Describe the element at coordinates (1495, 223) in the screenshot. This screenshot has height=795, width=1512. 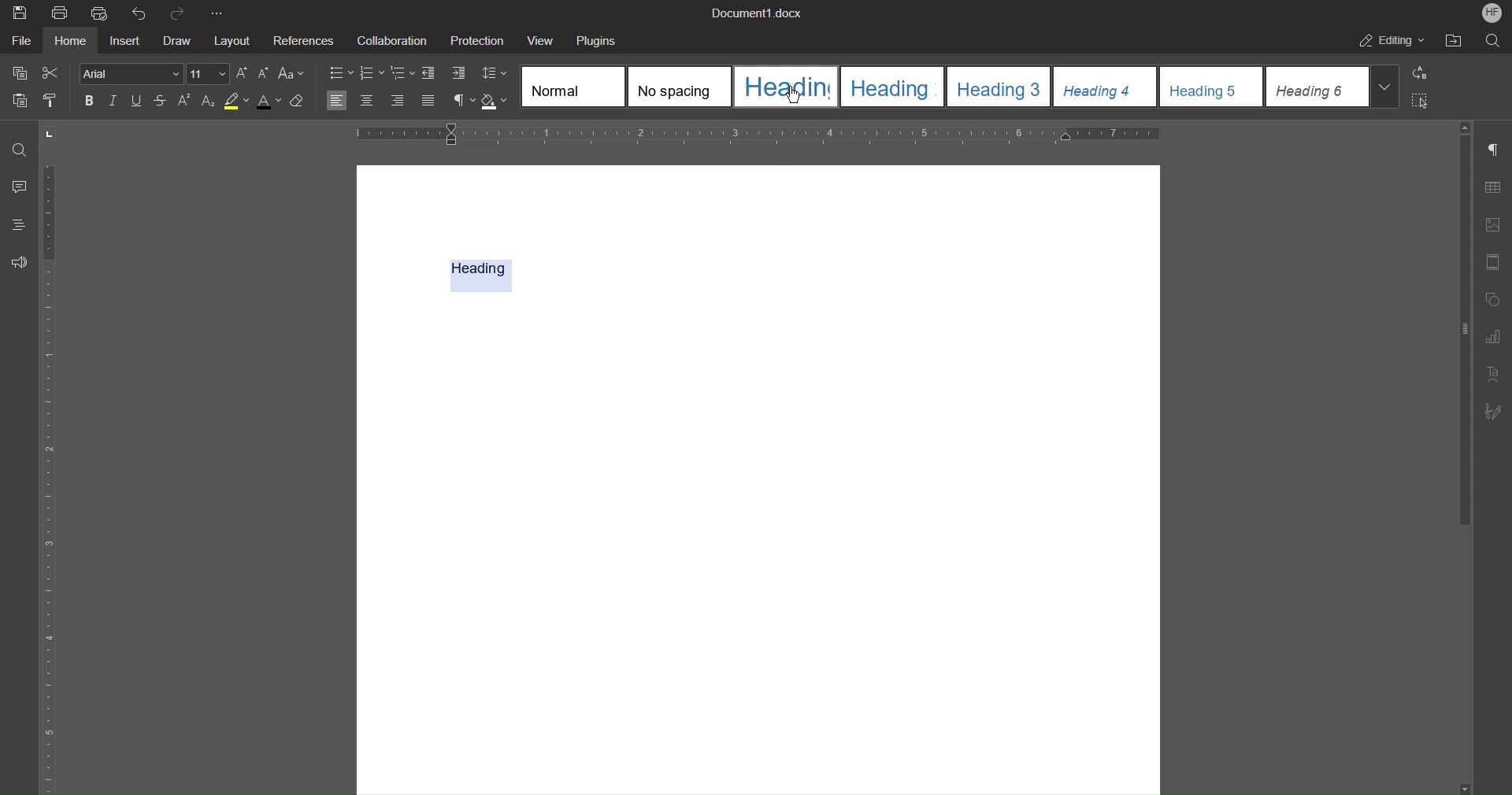
I see `Image Settings` at that location.